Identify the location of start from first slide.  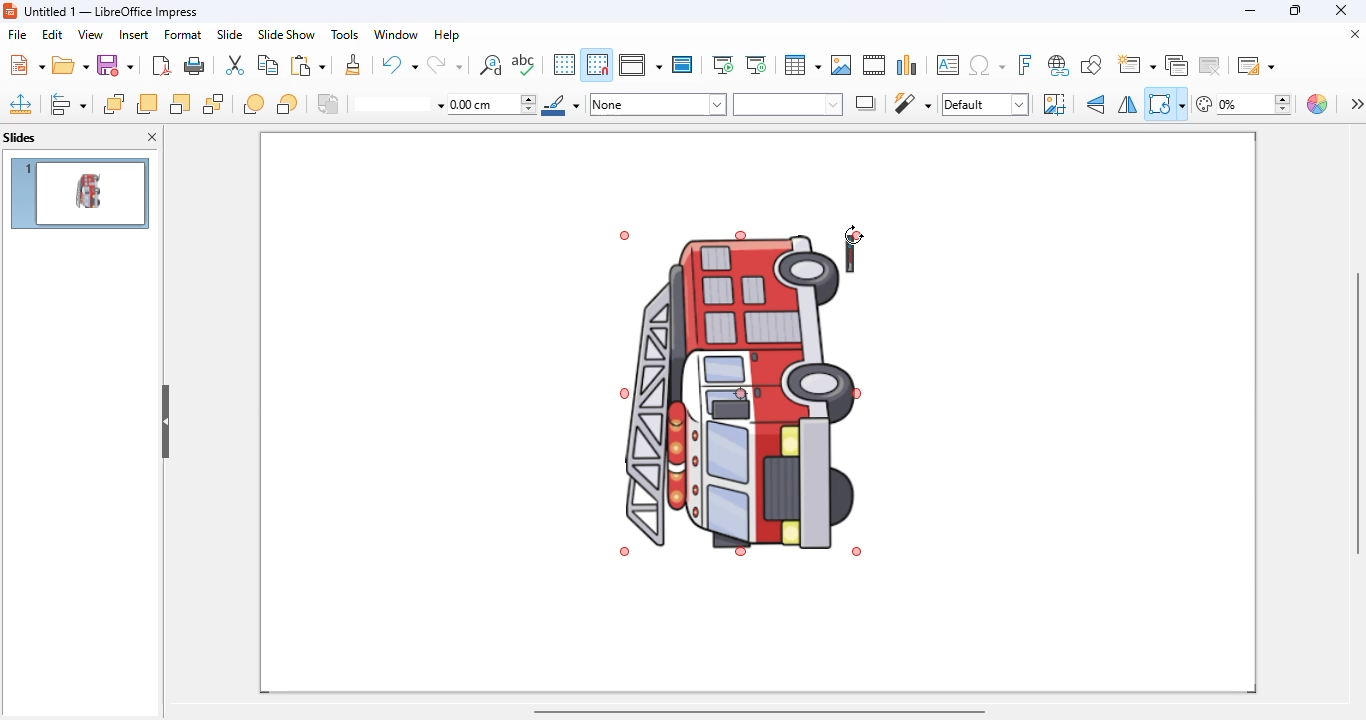
(724, 65).